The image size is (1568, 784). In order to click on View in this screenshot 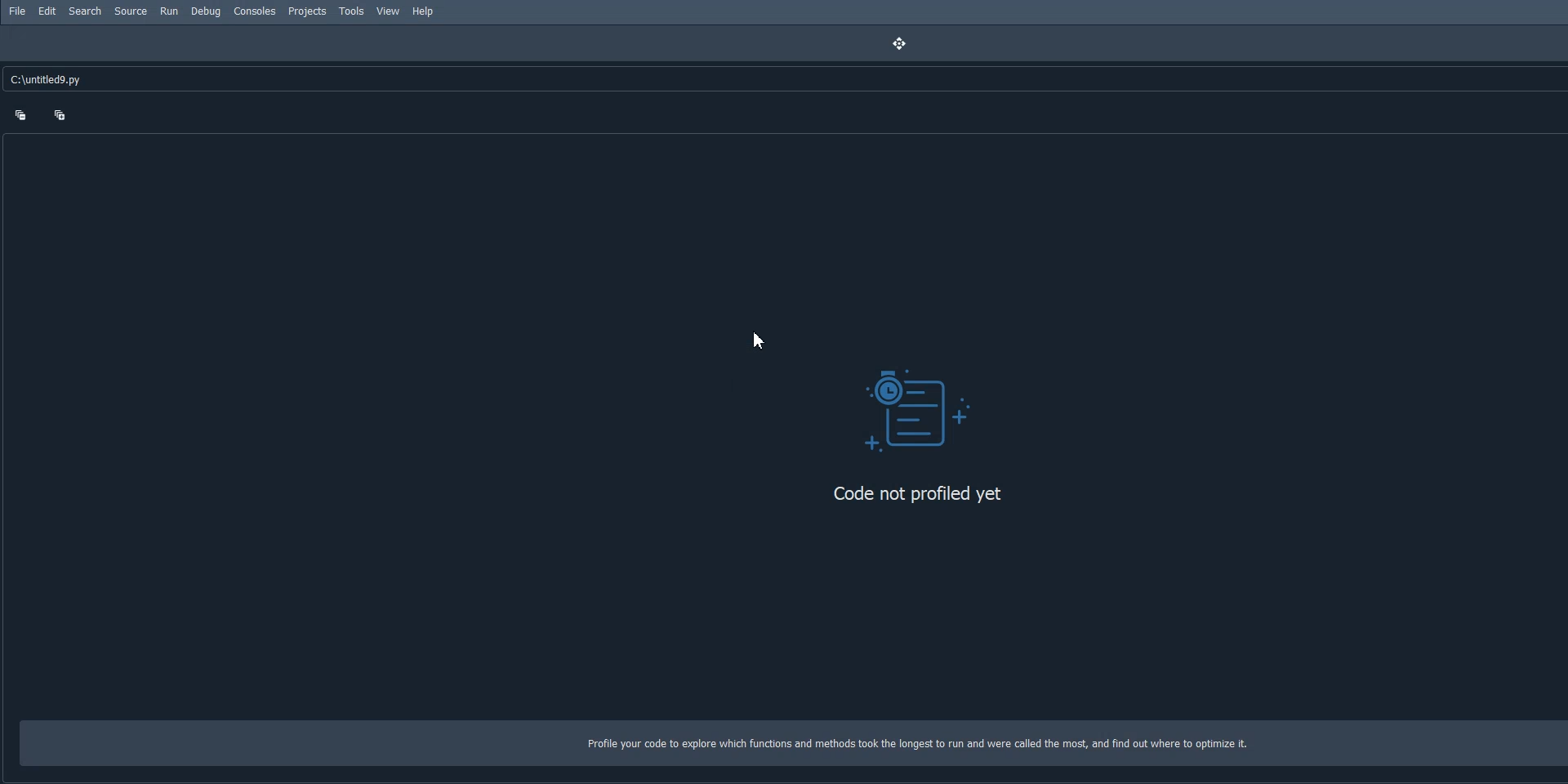, I will do `click(389, 11)`.